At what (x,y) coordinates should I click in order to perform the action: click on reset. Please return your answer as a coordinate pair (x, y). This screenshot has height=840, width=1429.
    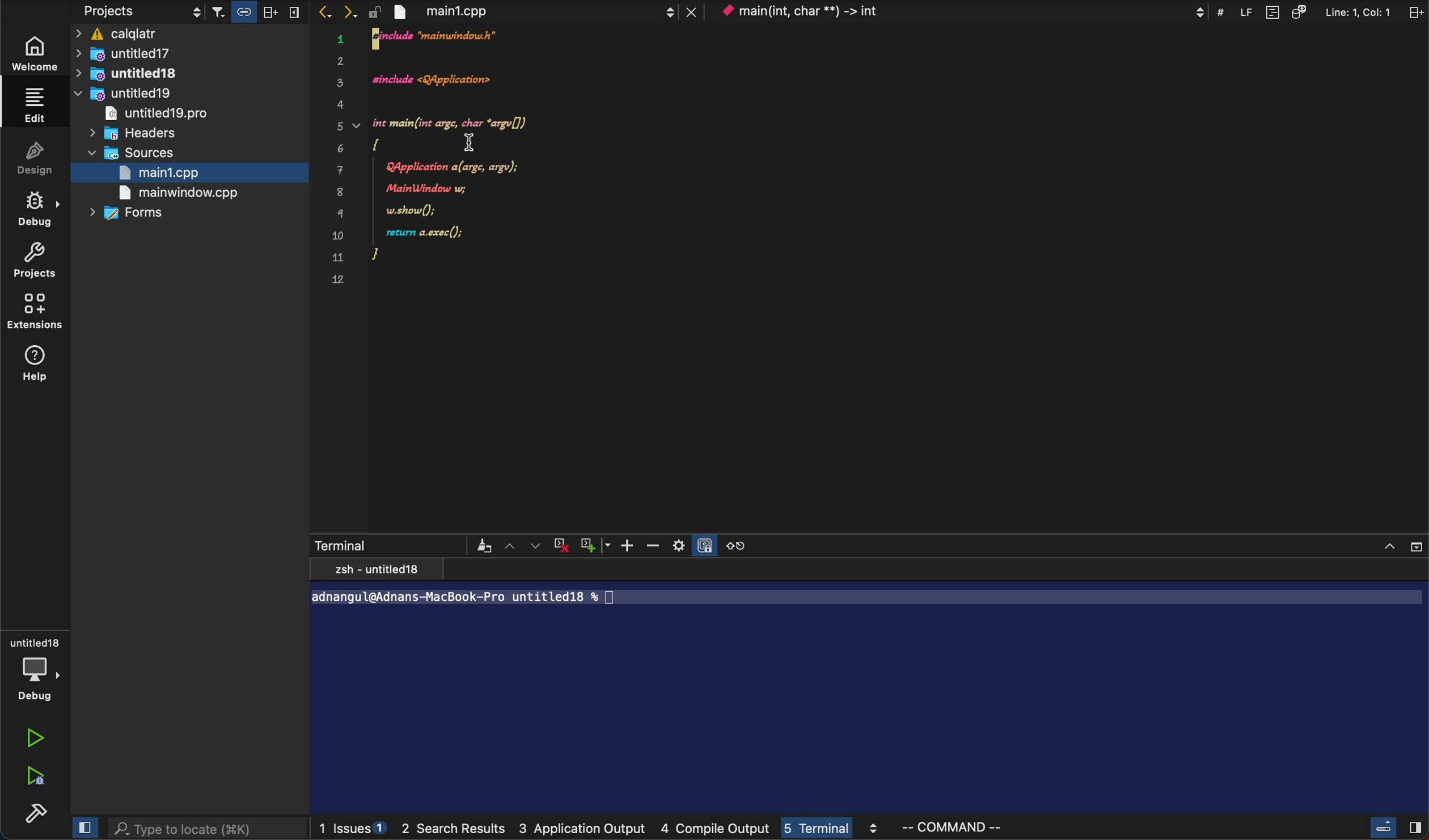
    Looking at the image, I should click on (748, 545).